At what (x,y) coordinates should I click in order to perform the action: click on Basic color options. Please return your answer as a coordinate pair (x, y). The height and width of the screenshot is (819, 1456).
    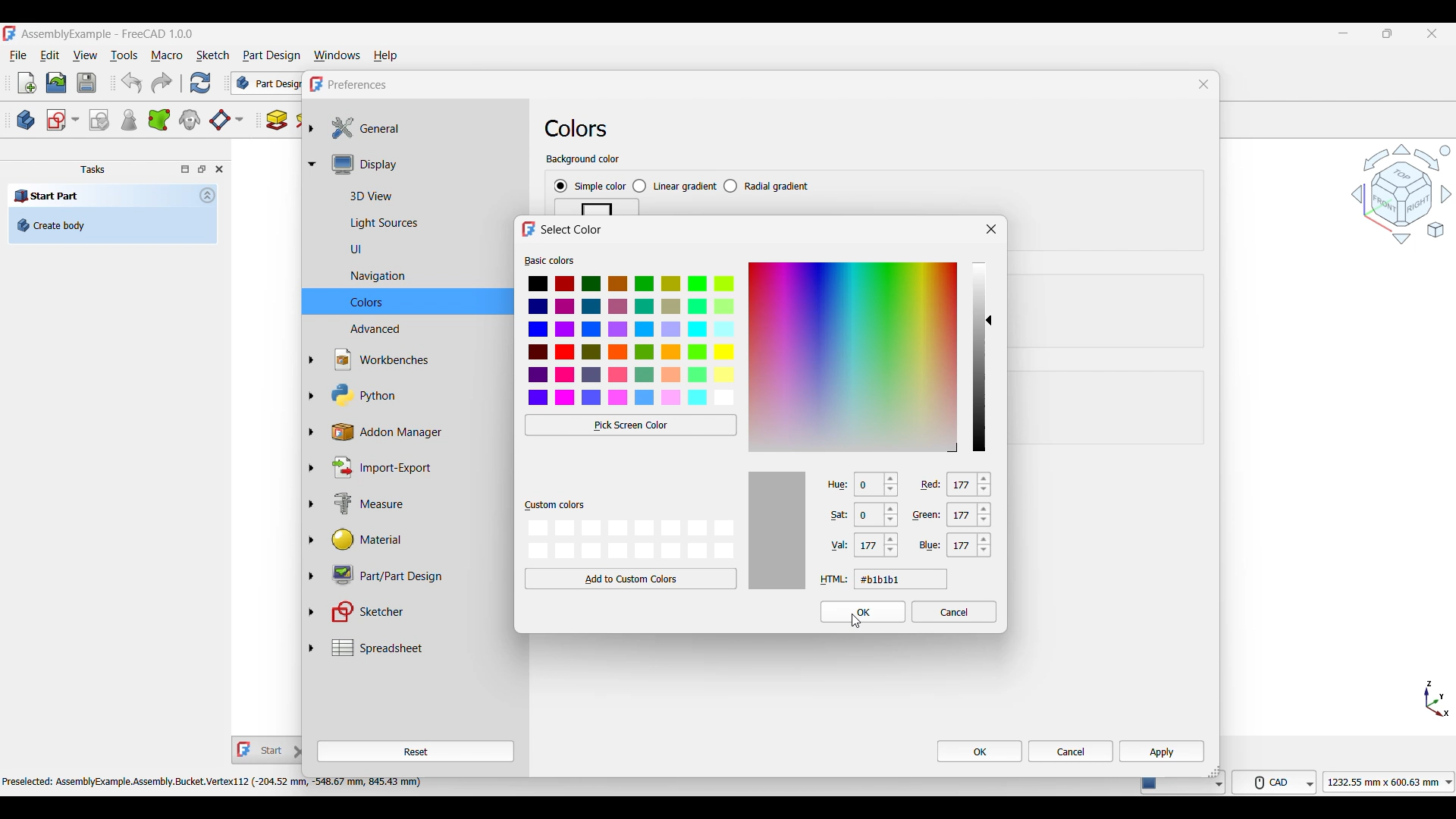
    Looking at the image, I should click on (632, 341).